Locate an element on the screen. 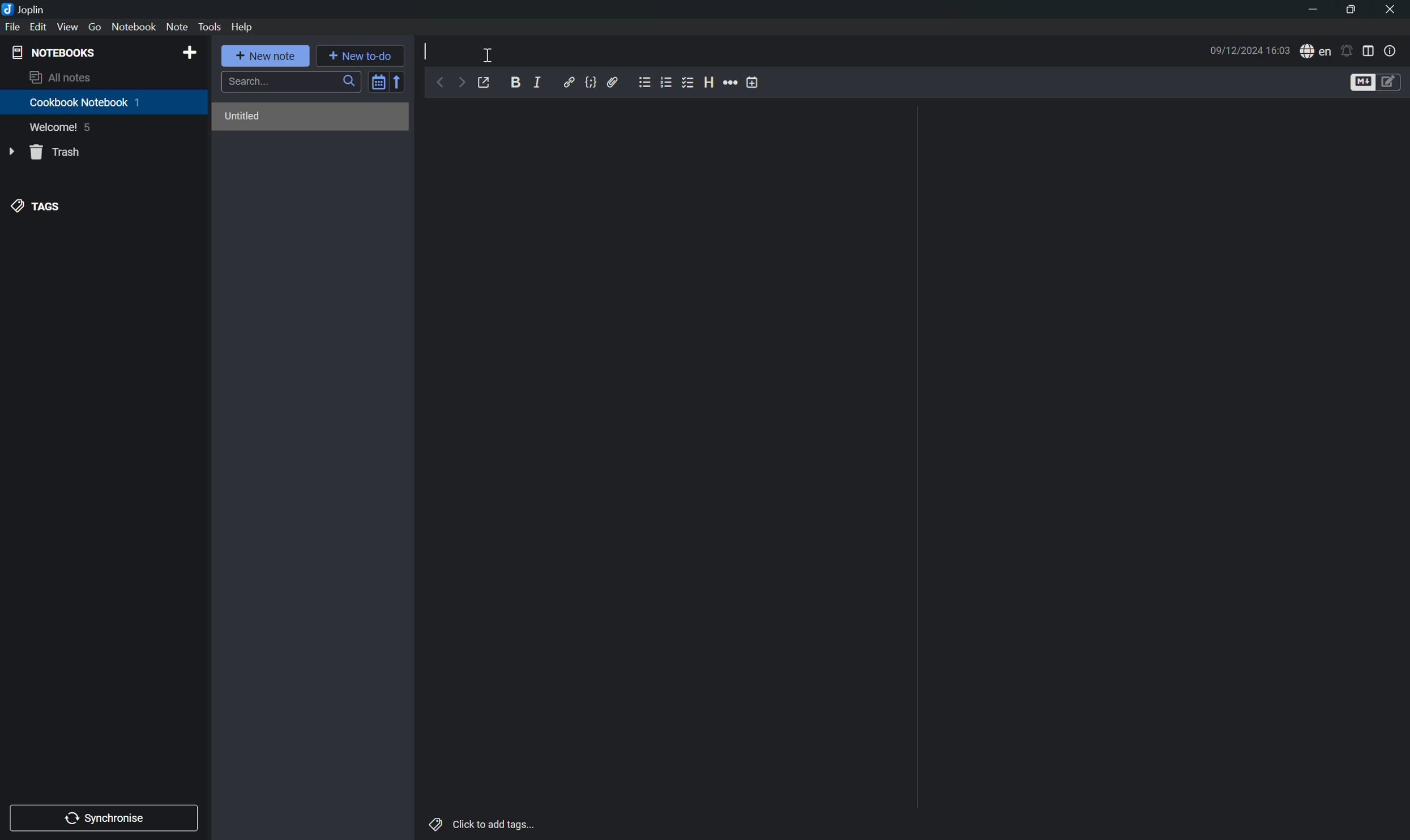 This screenshot has width=1410, height=840. Trash is located at coordinates (58, 151).